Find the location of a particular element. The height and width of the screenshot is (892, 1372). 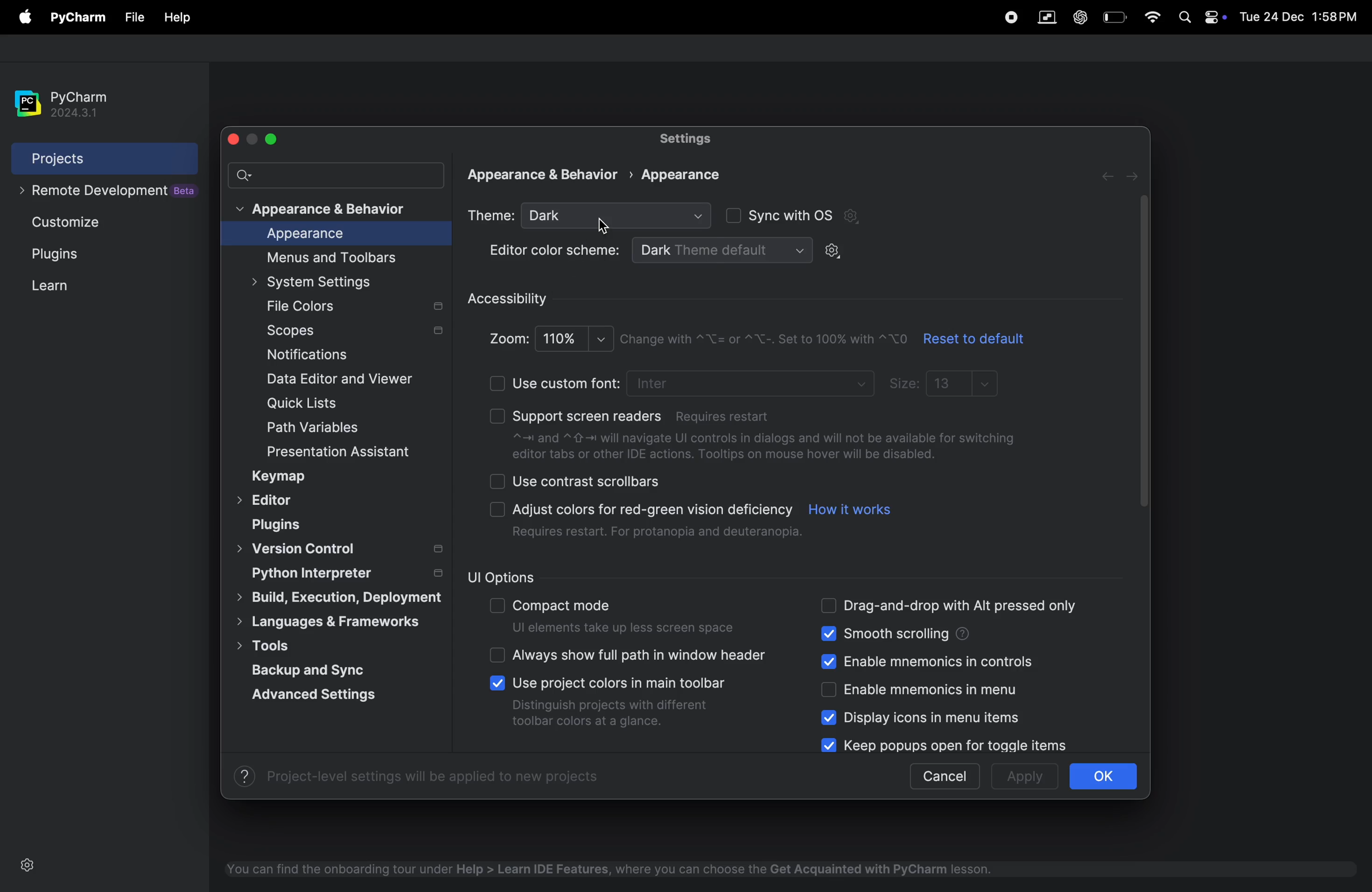

appearance  is located at coordinates (345, 237).